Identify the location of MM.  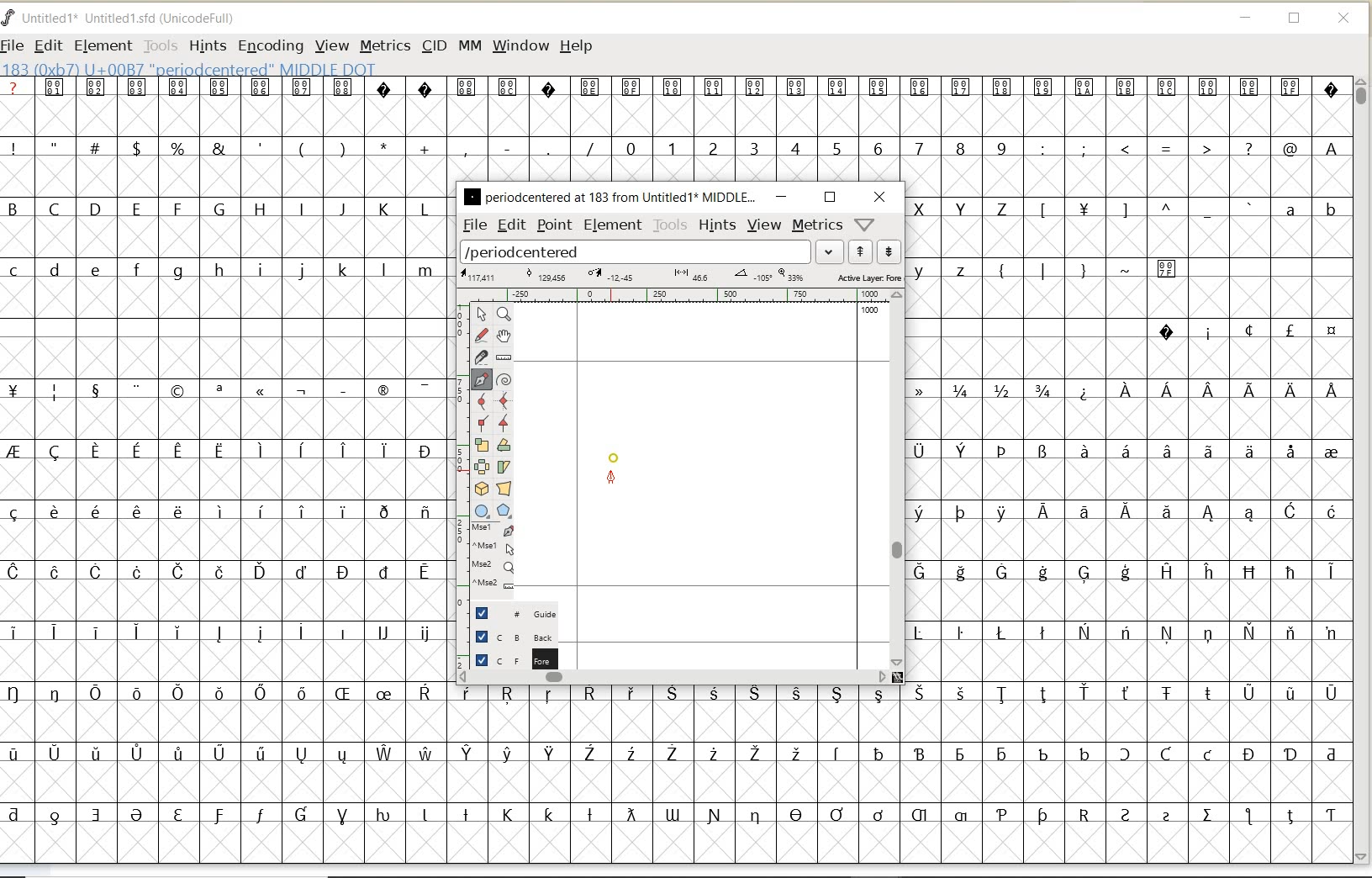
(470, 46).